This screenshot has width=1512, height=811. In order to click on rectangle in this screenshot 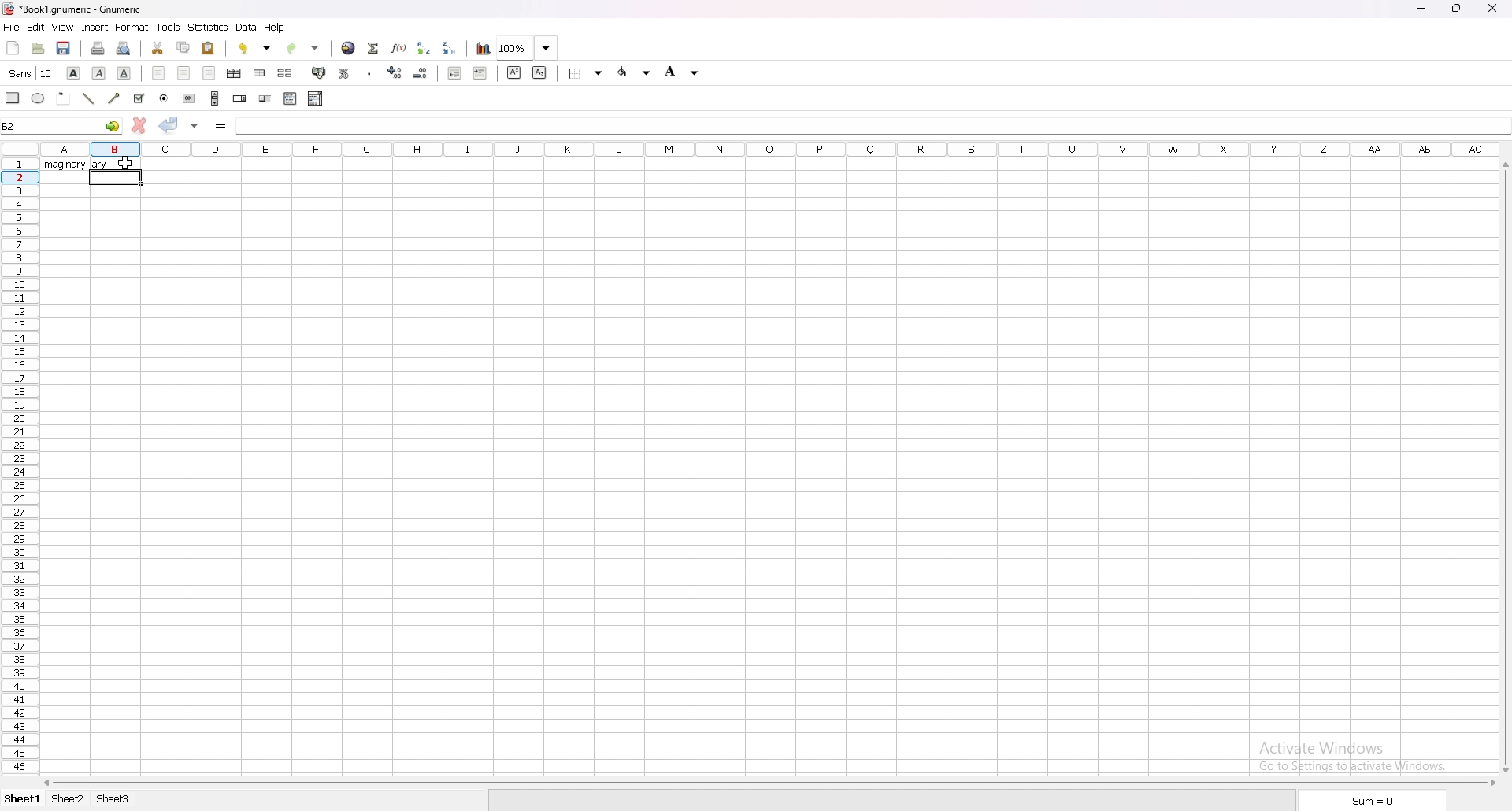, I will do `click(12, 98)`.